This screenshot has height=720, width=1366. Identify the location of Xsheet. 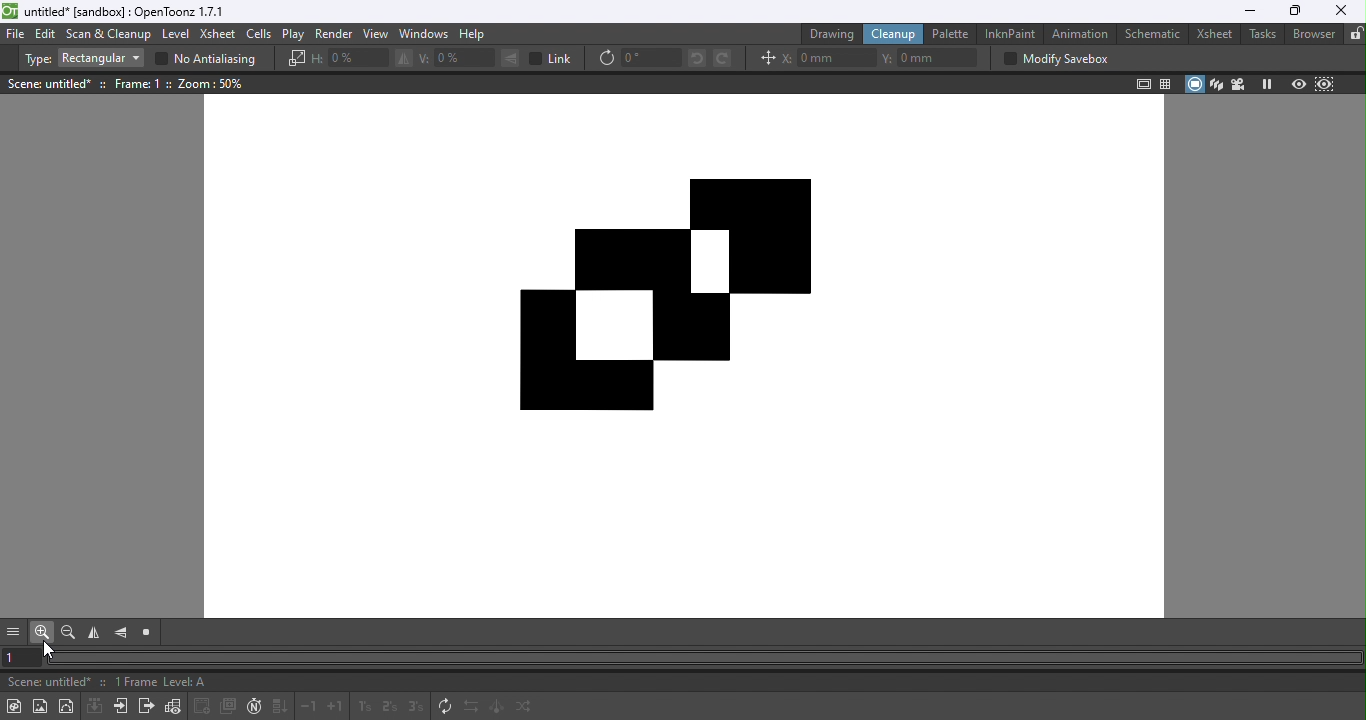
(218, 34).